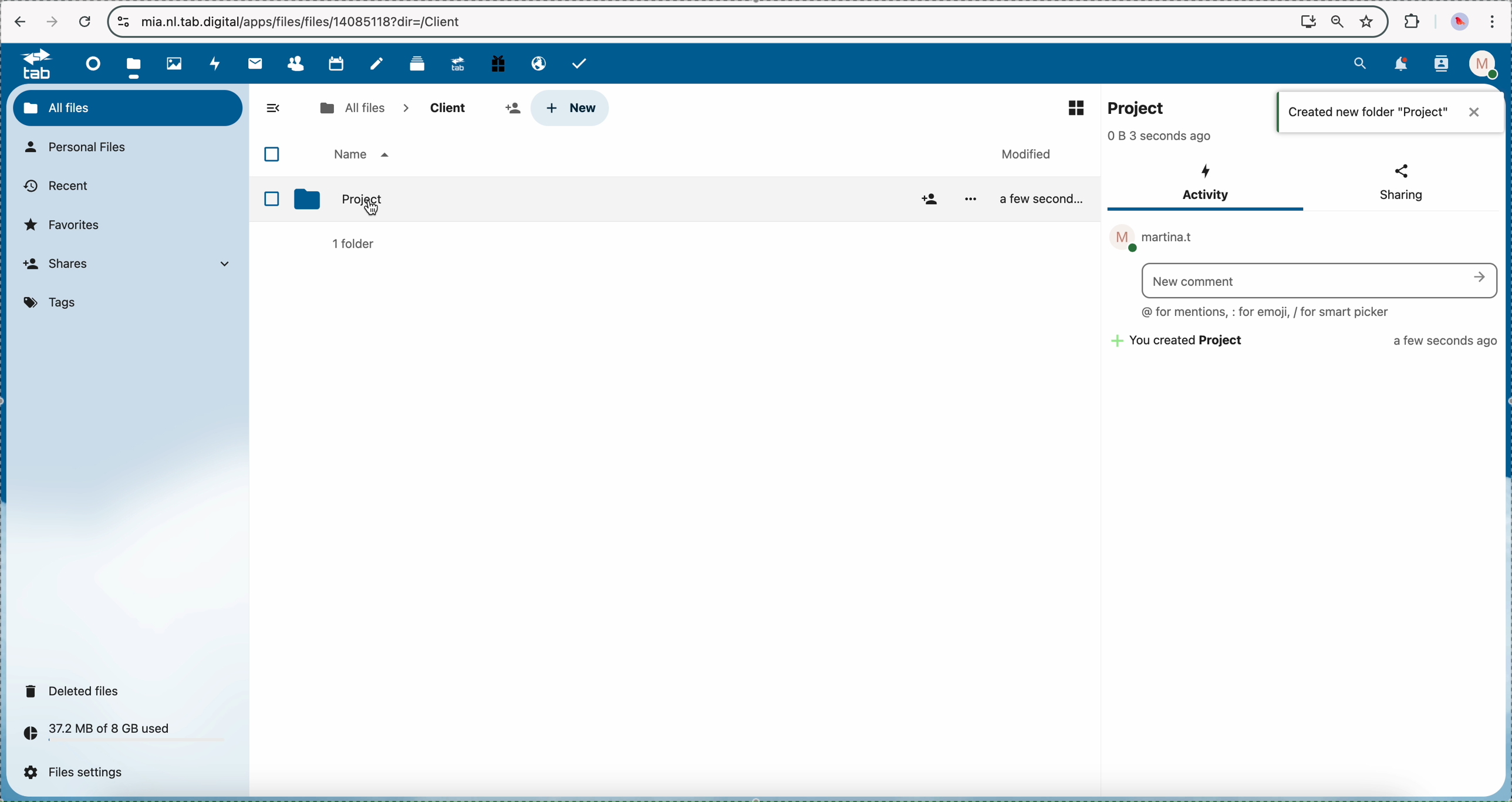 The height and width of the screenshot is (802, 1512). Describe the element at coordinates (569, 108) in the screenshot. I see `click on new button` at that location.